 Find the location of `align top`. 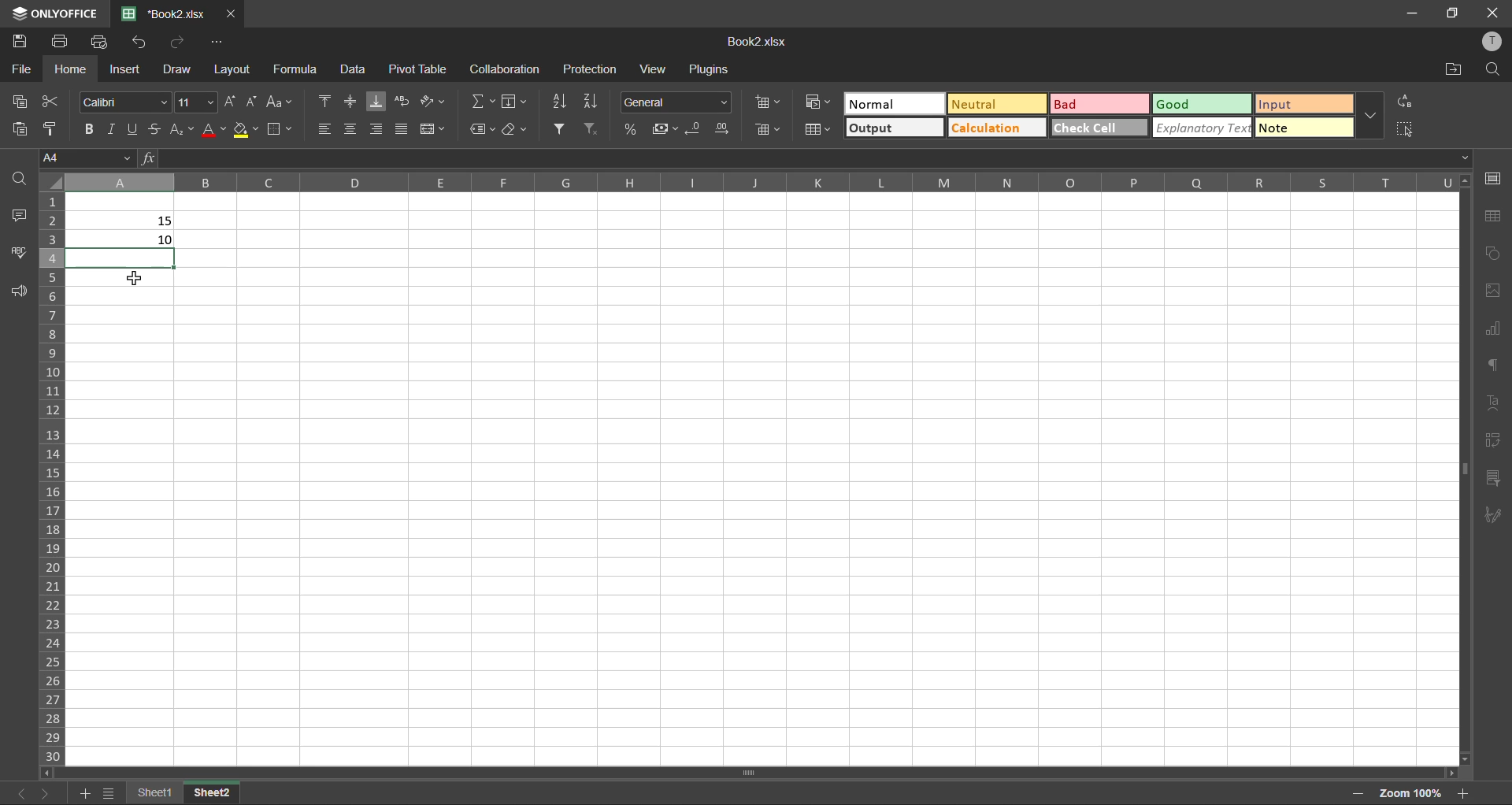

align top is located at coordinates (325, 101).